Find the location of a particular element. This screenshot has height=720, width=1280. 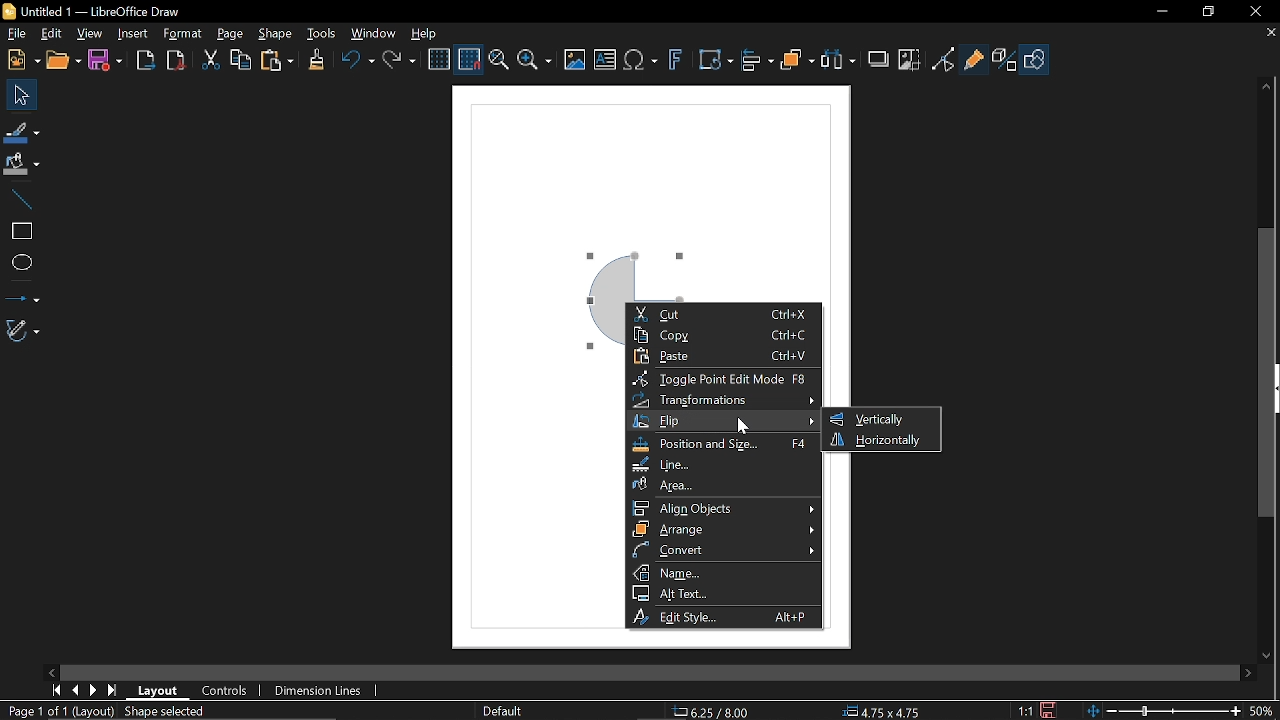

Align is located at coordinates (758, 60).